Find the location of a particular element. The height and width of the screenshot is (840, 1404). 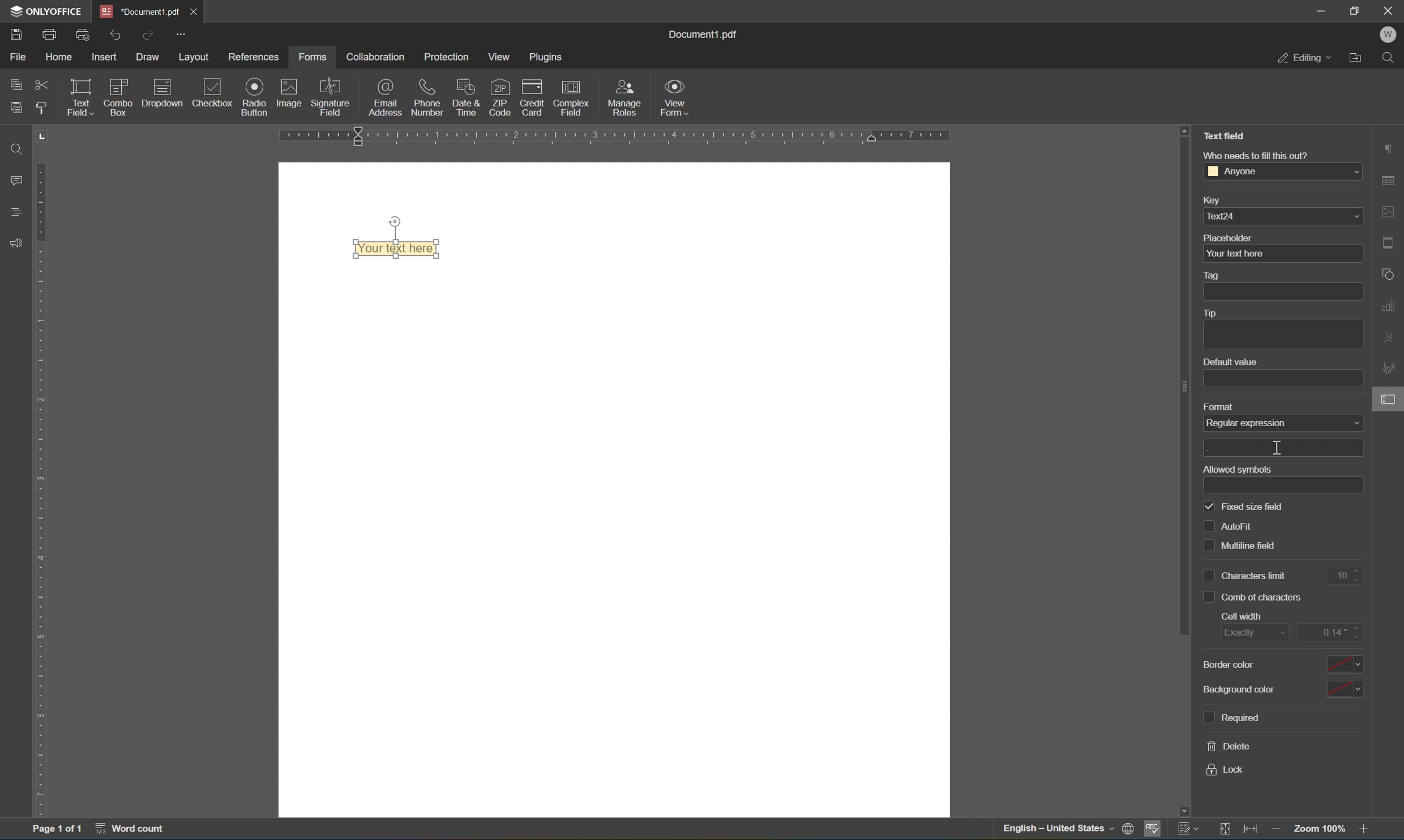

collaboration is located at coordinates (374, 57).